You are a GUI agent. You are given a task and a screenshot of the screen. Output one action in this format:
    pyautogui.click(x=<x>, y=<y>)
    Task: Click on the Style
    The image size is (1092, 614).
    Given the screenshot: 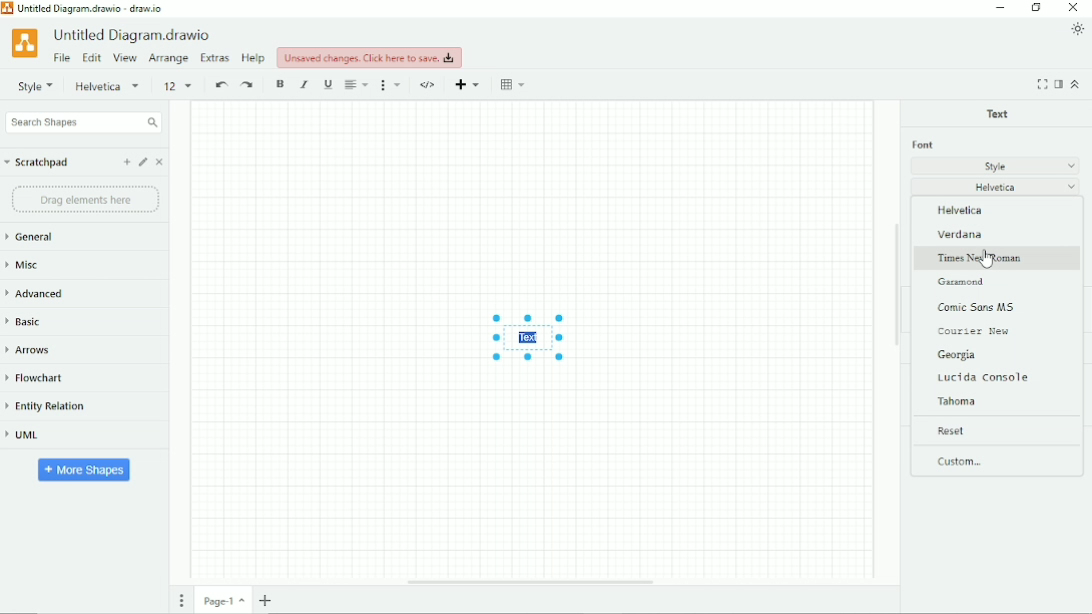 What is the action you would take?
    pyautogui.click(x=995, y=165)
    